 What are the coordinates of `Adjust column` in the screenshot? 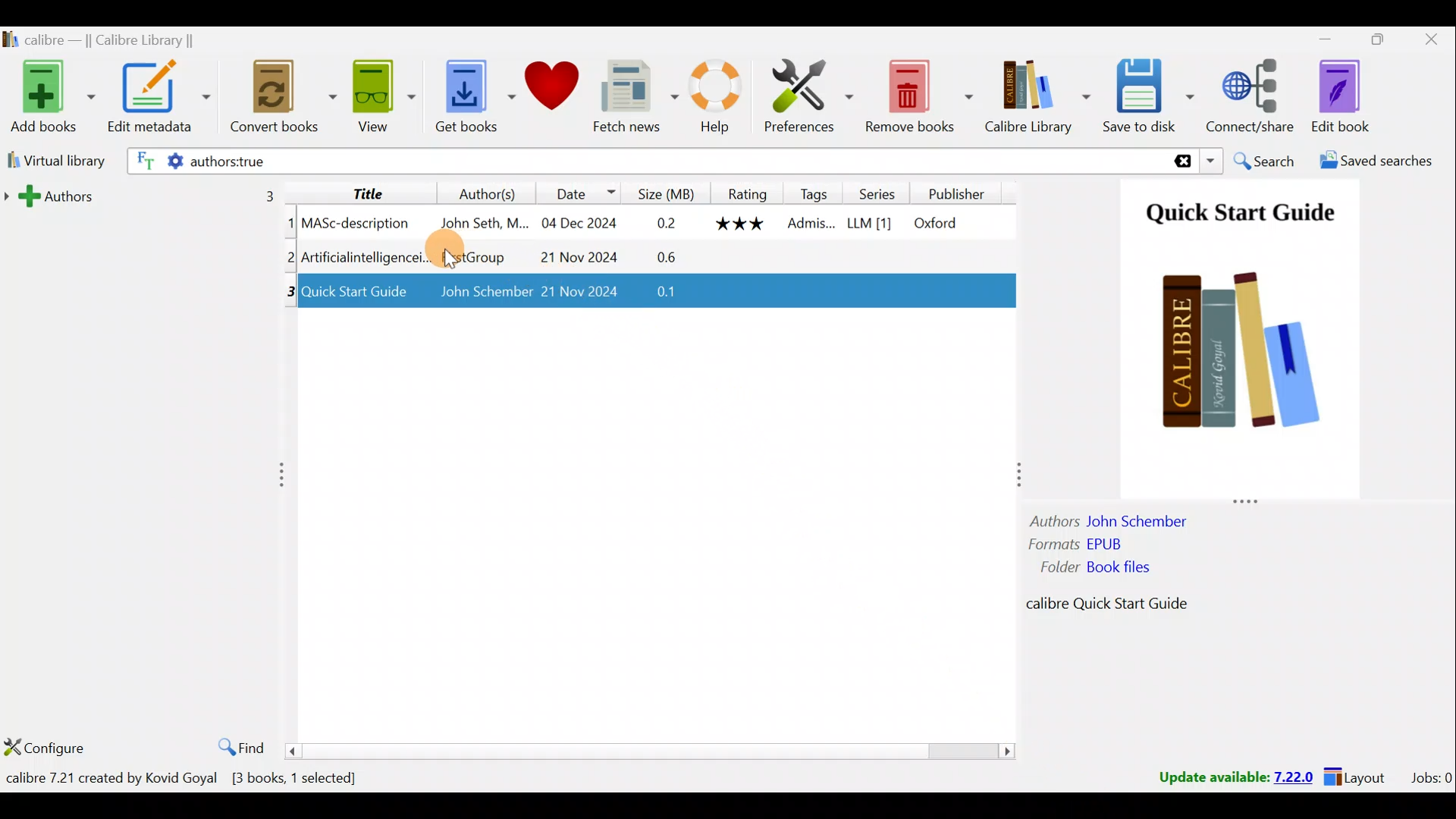 It's located at (1011, 473).